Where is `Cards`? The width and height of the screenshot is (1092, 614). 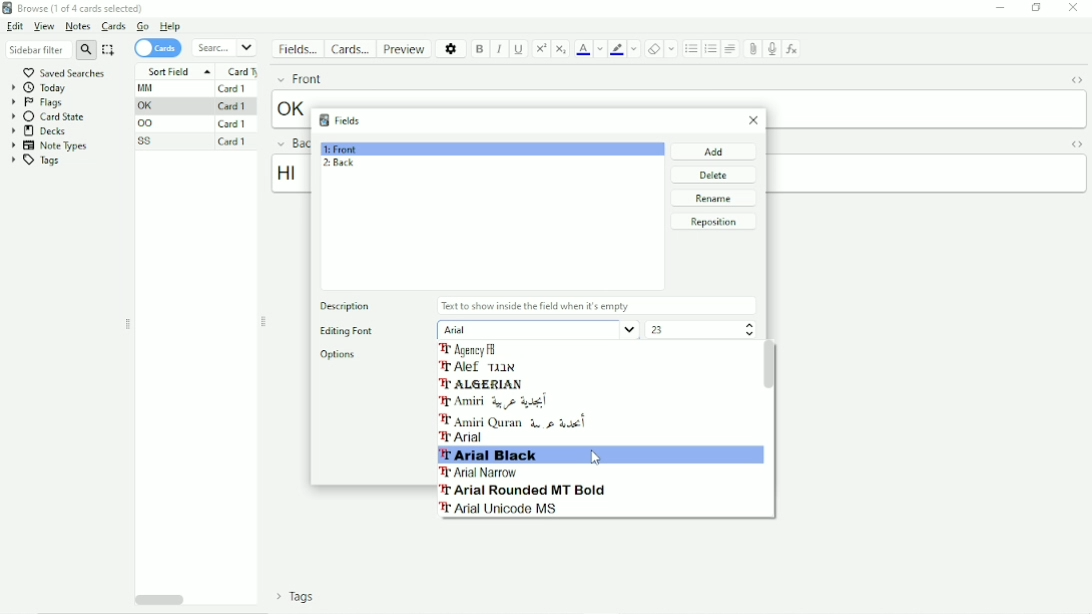 Cards is located at coordinates (352, 49).